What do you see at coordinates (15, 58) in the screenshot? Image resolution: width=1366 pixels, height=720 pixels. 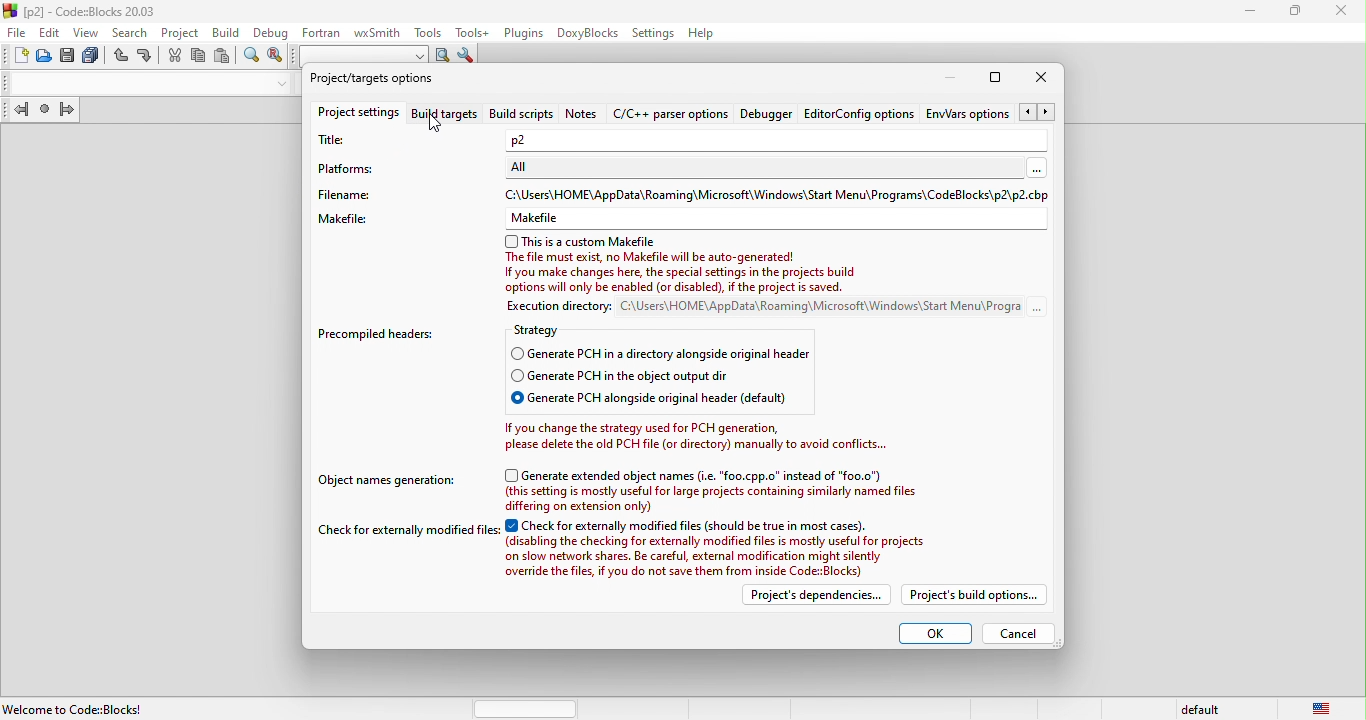 I see `new` at bounding box center [15, 58].